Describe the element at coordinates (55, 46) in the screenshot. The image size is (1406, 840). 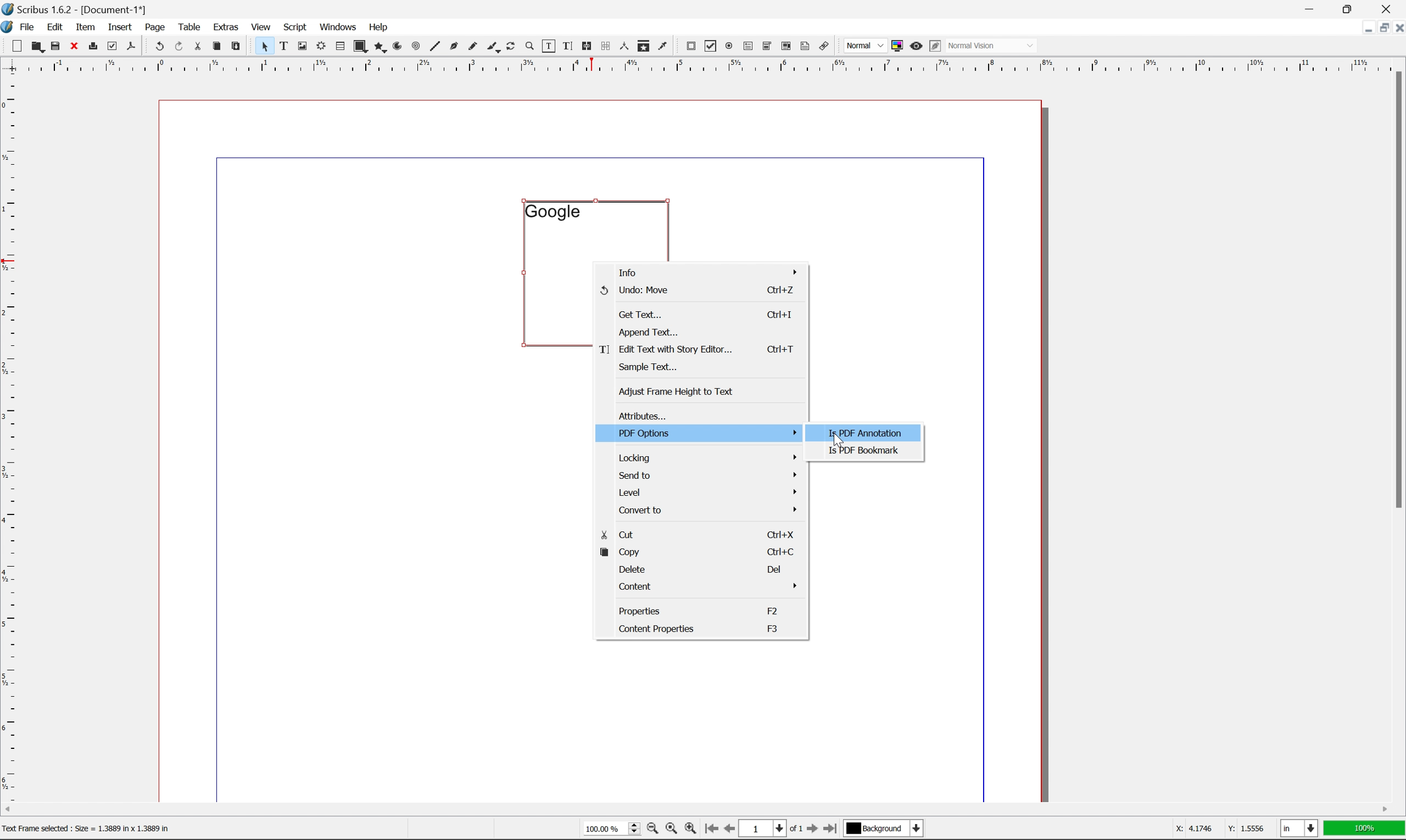
I see `save` at that location.